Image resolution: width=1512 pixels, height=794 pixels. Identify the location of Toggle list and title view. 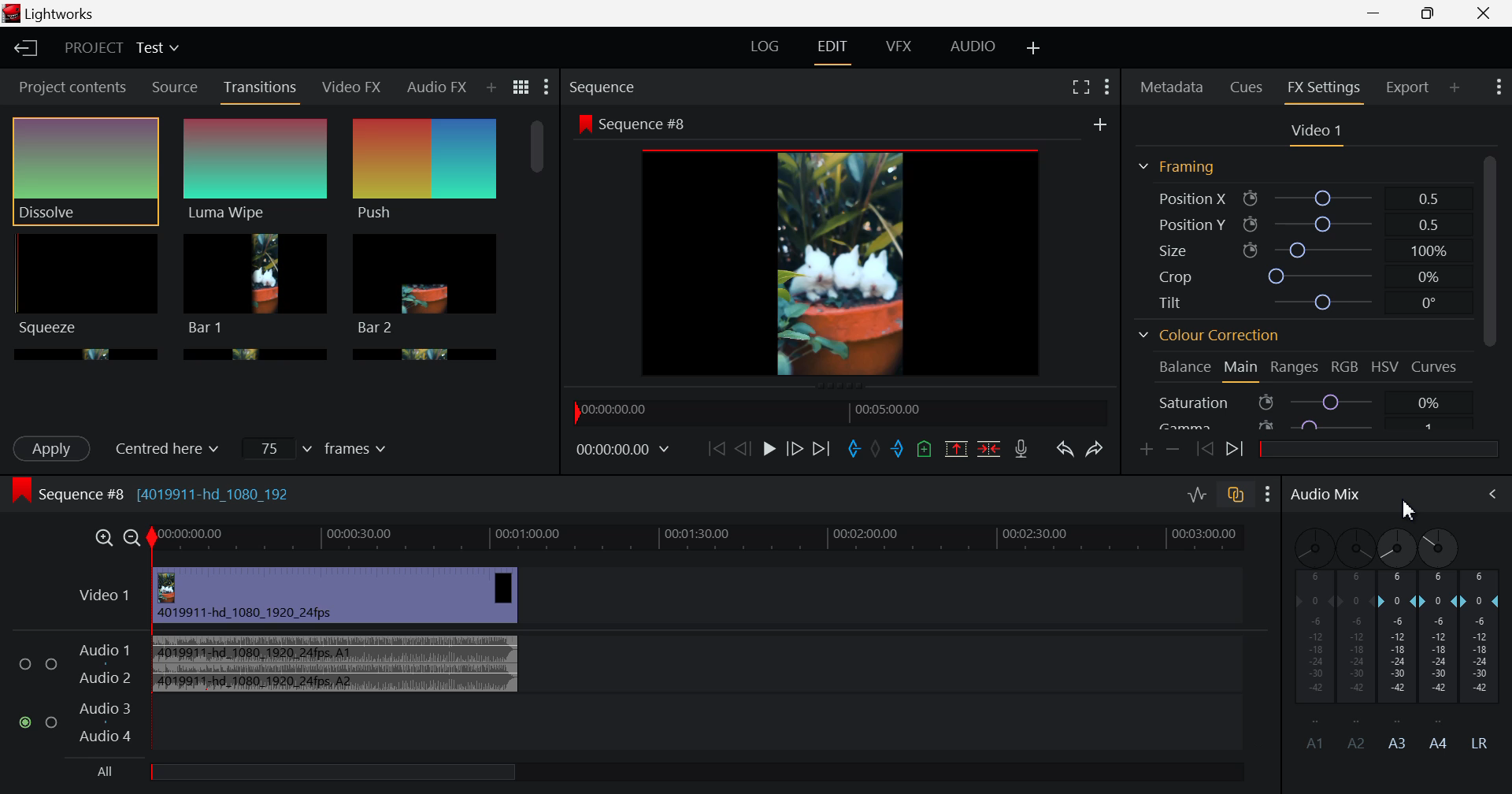
(523, 88).